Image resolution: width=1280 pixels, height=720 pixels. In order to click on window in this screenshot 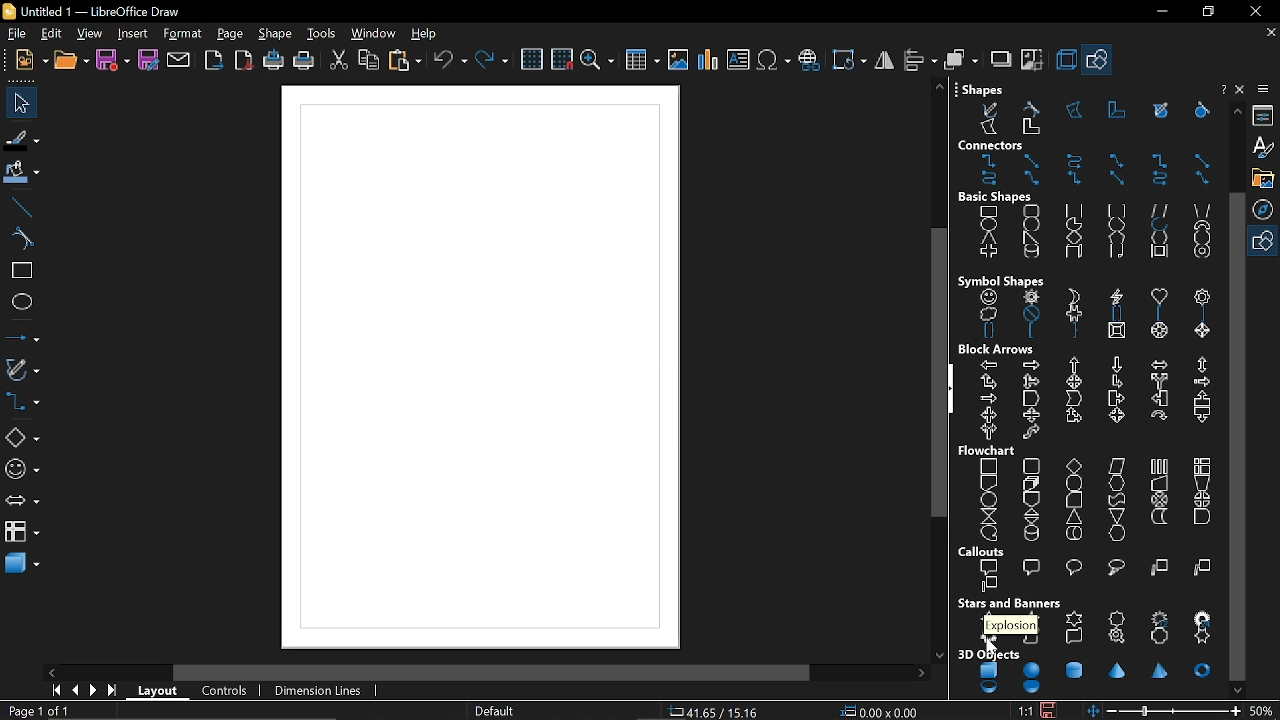, I will do `click(374, 34)`.